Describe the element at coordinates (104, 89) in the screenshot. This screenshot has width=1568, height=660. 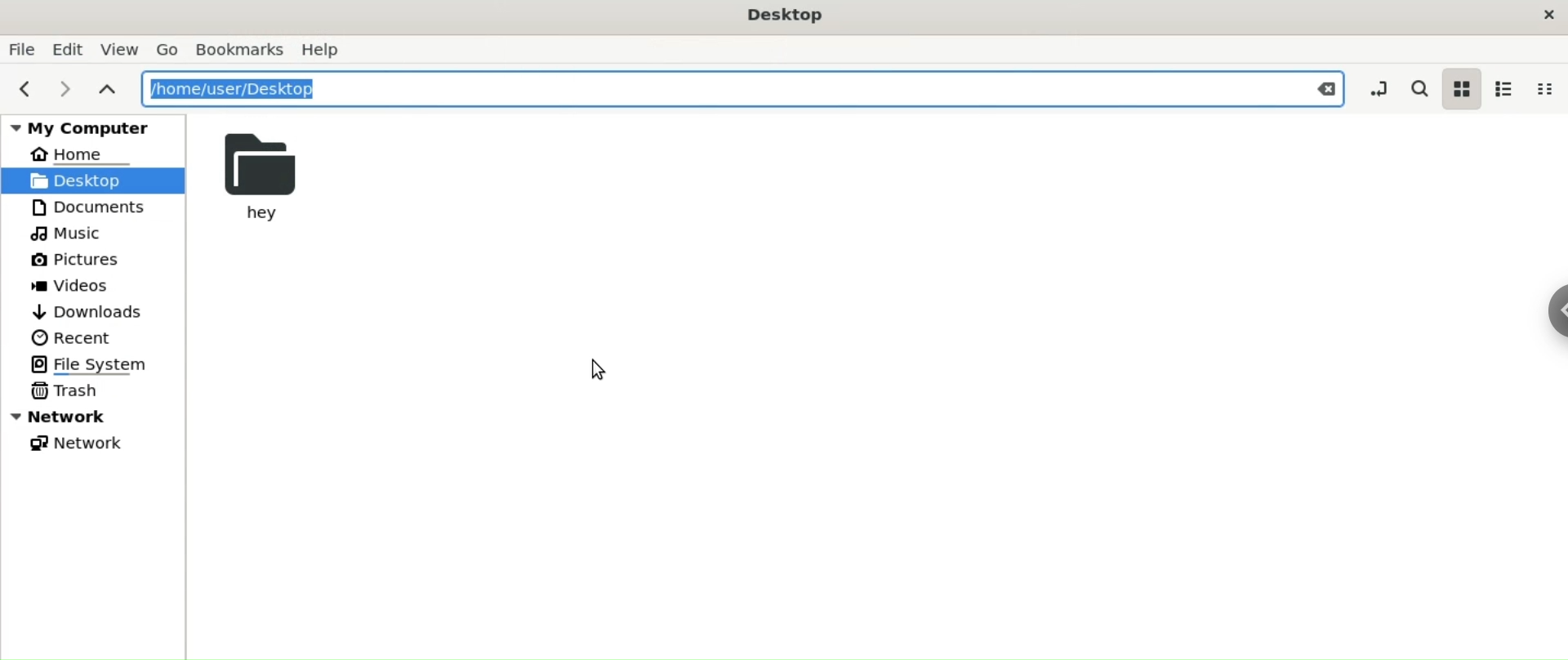
I see `parent folders` at that location.